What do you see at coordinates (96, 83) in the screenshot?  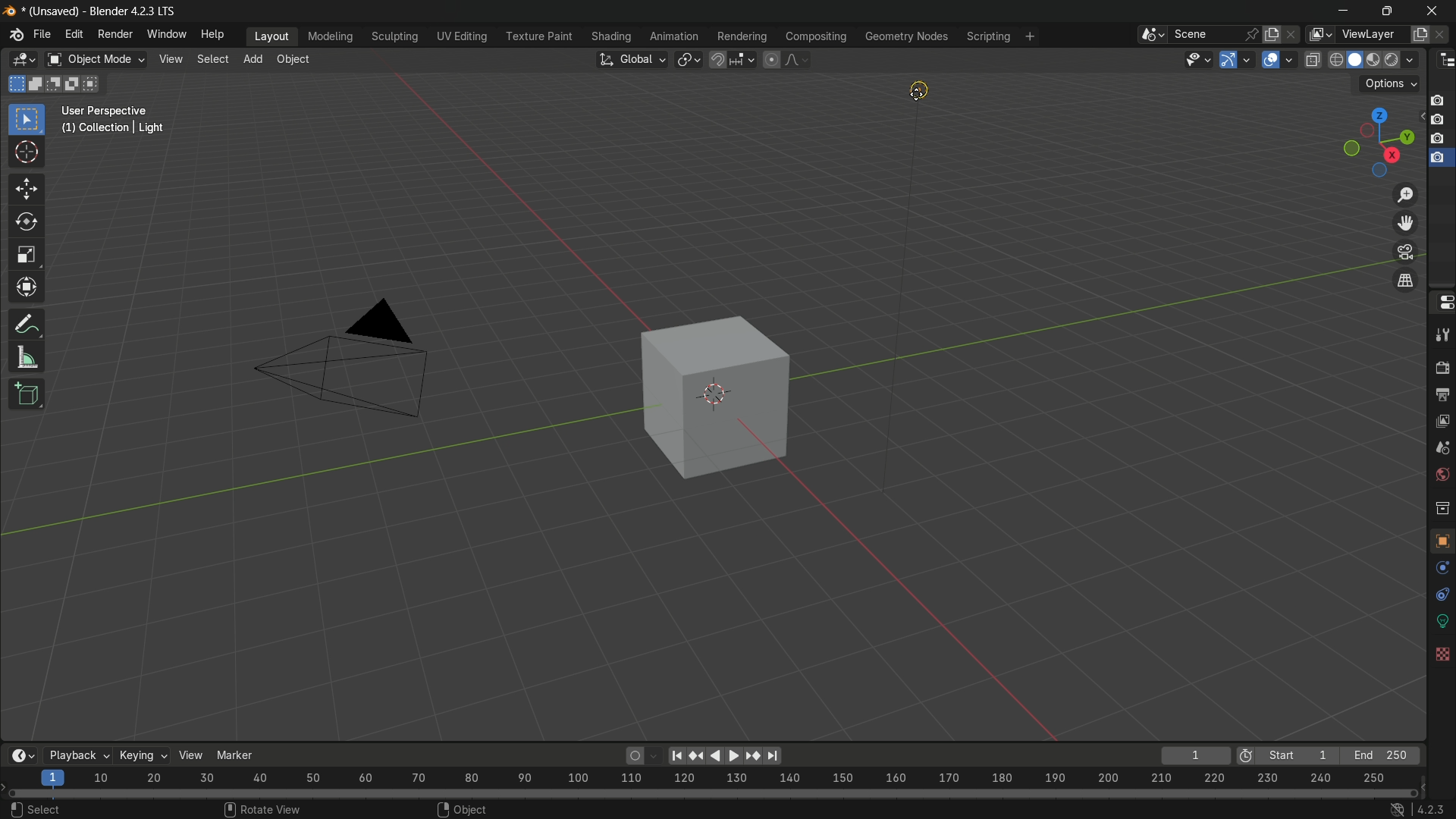 I see `intersect selection` at bounding box center [96, 83].